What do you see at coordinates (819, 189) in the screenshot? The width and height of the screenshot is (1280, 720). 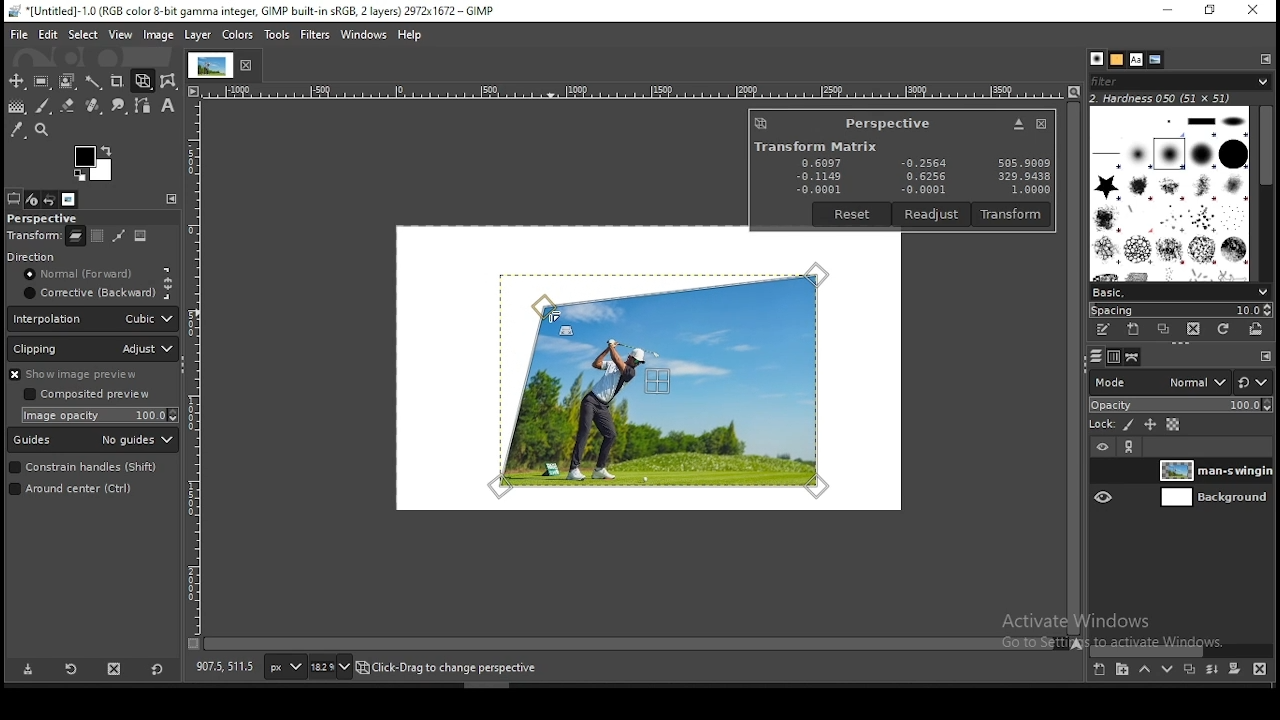 I see `-0.0001` at bounding box center [819, 189].